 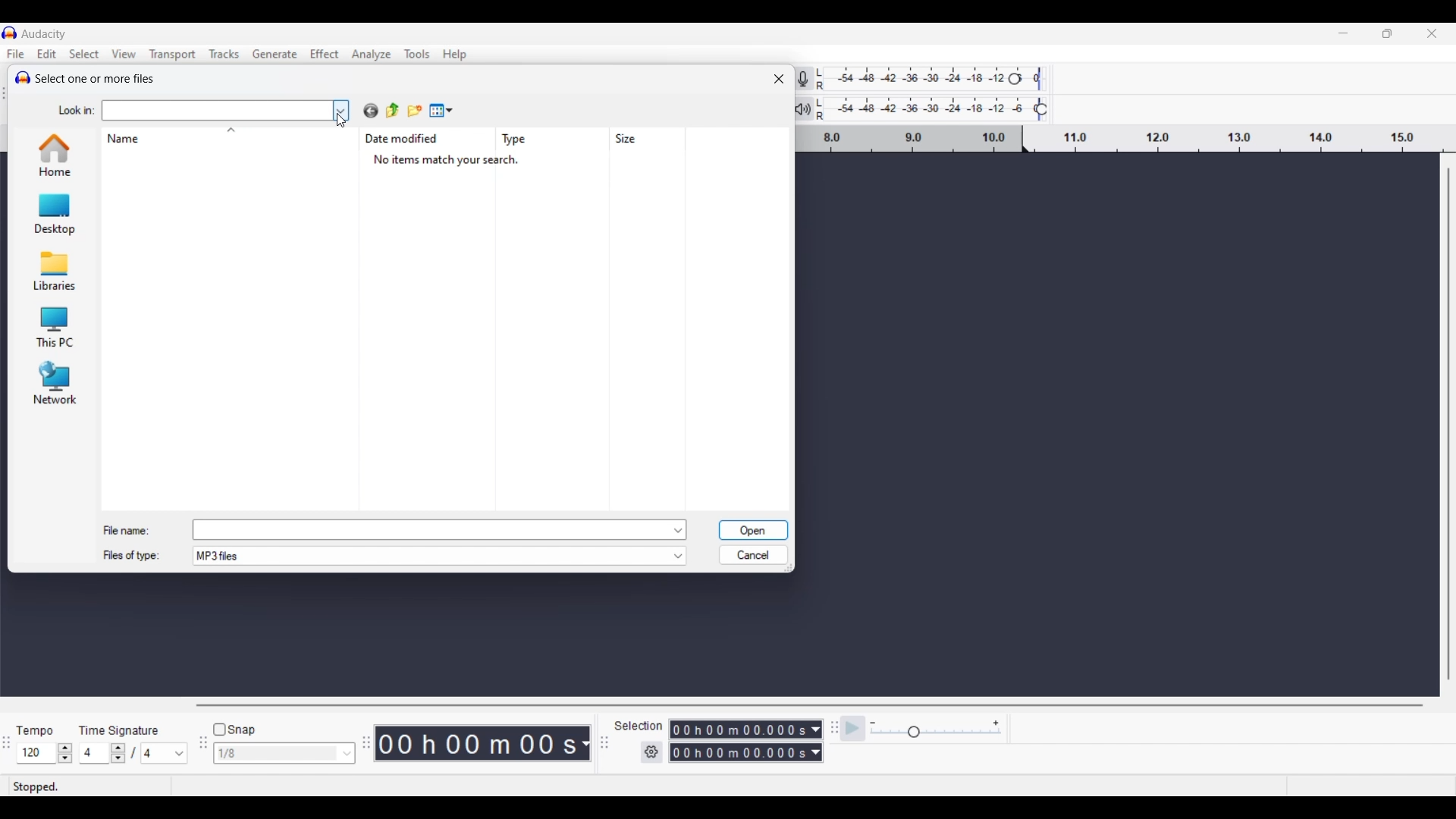 What do you see at coordinates (368, 748) in the screenshot?
I see `time toolbar` at bounding box center [368, 748].